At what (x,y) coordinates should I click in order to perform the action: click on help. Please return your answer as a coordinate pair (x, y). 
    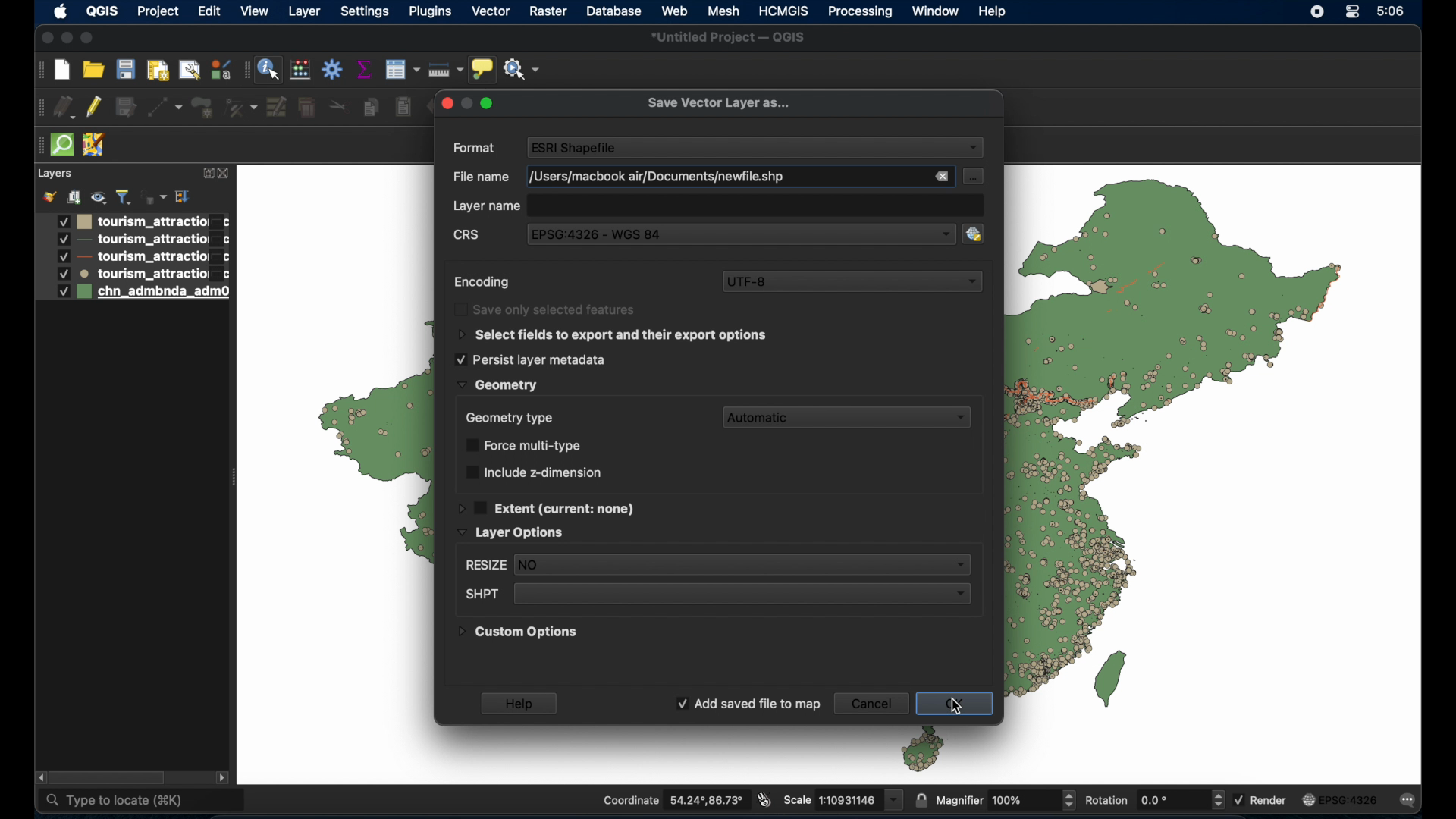
    Looking at the image, I should click on (993, 11).